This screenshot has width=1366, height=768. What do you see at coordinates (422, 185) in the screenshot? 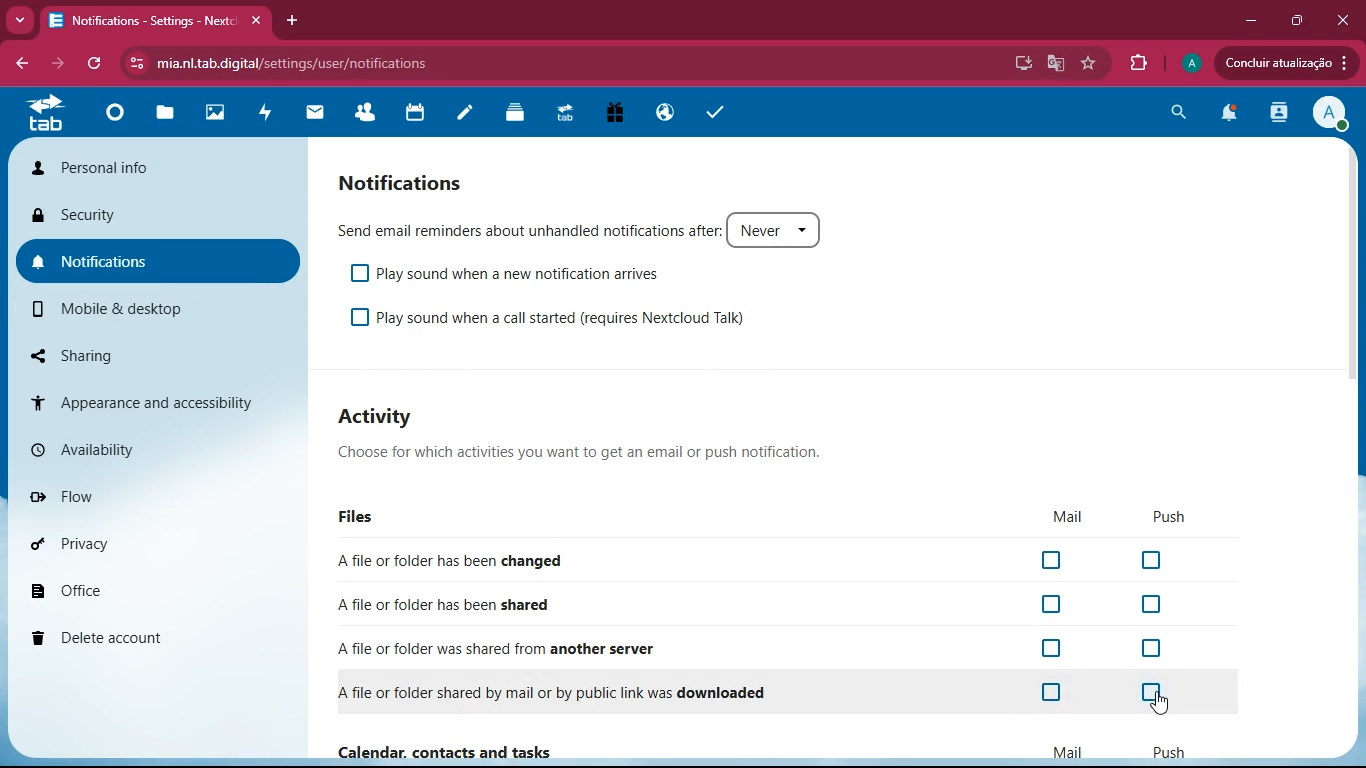
I see `notifications` at bounding box center [422, 185].